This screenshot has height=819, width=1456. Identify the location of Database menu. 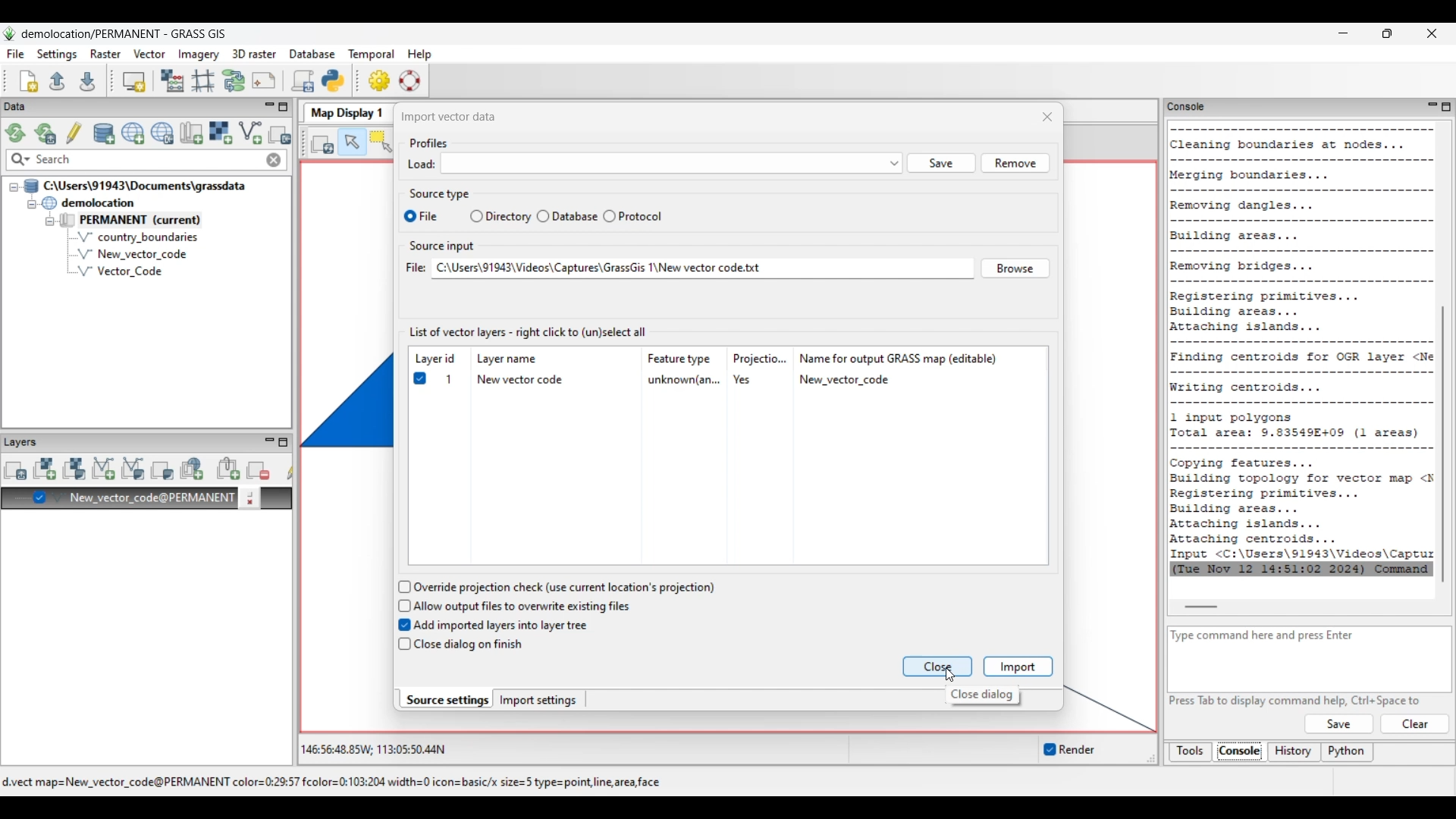
(312, 55).